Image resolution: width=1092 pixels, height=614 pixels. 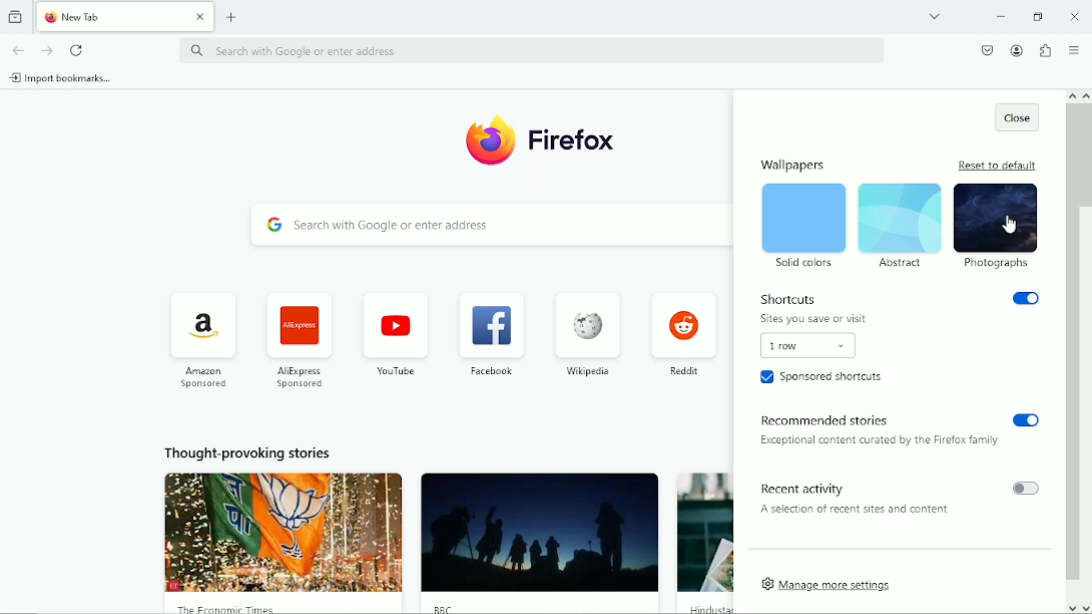 What do you see at coordinates (997, 165) in the screenshot?
I see `Reset to default` at bounding box center [997, 165].